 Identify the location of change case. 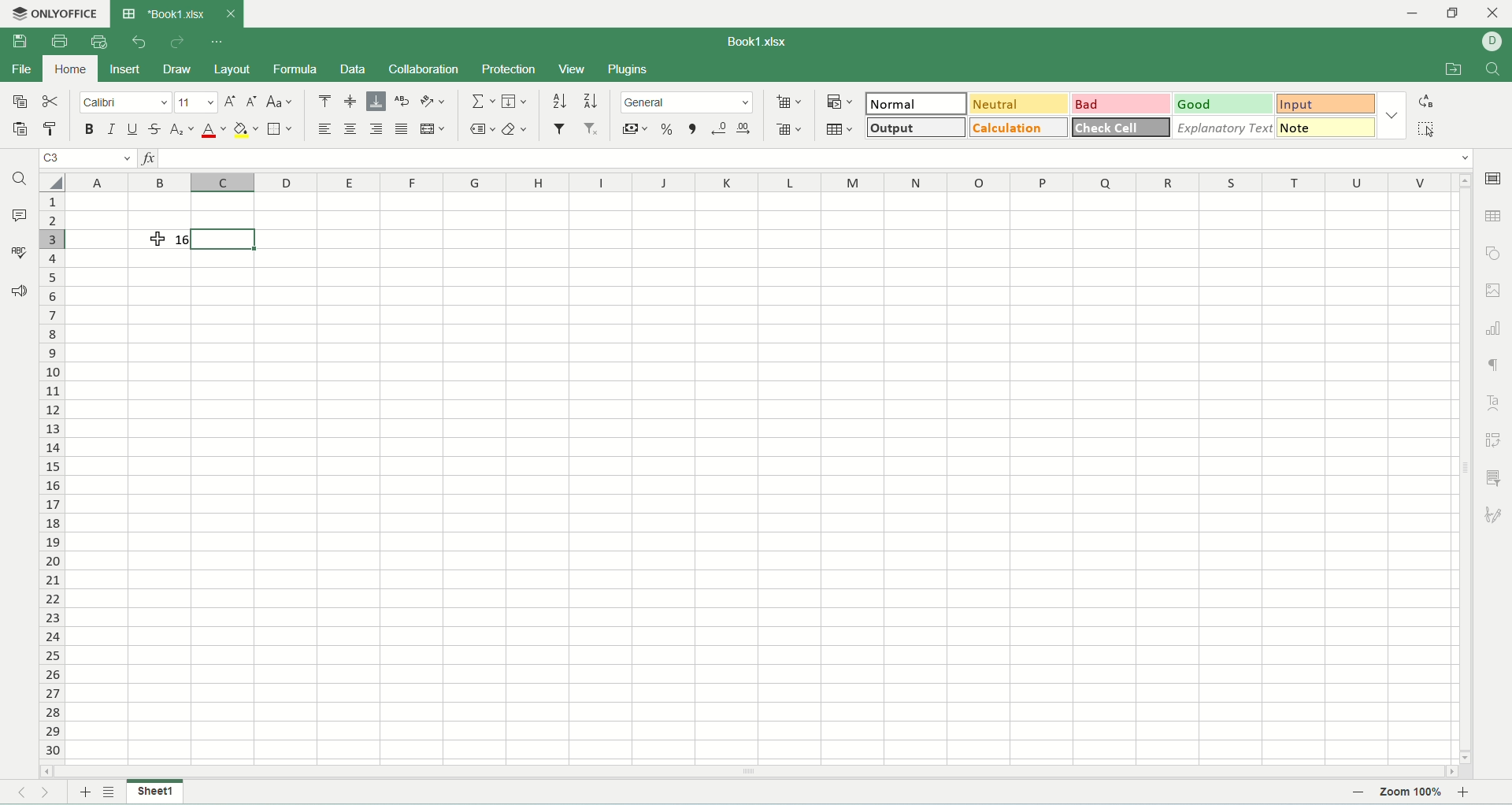
(281, 103).